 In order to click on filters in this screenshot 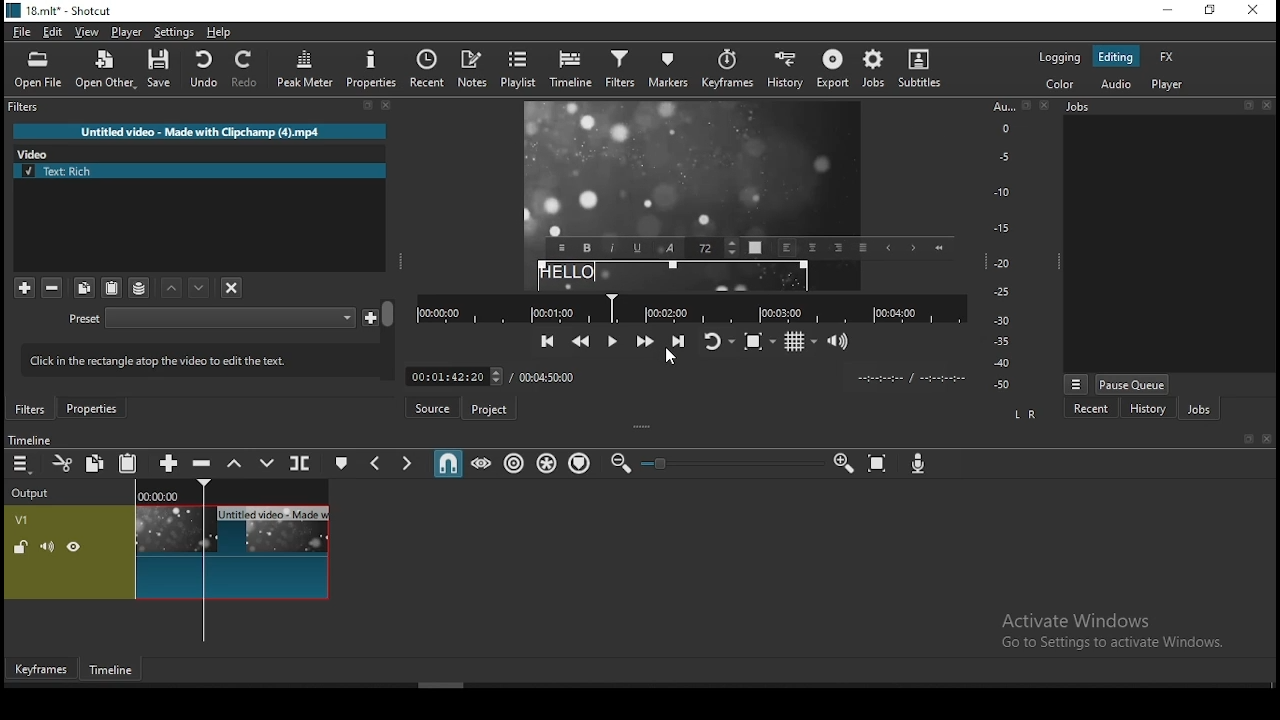, I will do `click(31, 409)`.